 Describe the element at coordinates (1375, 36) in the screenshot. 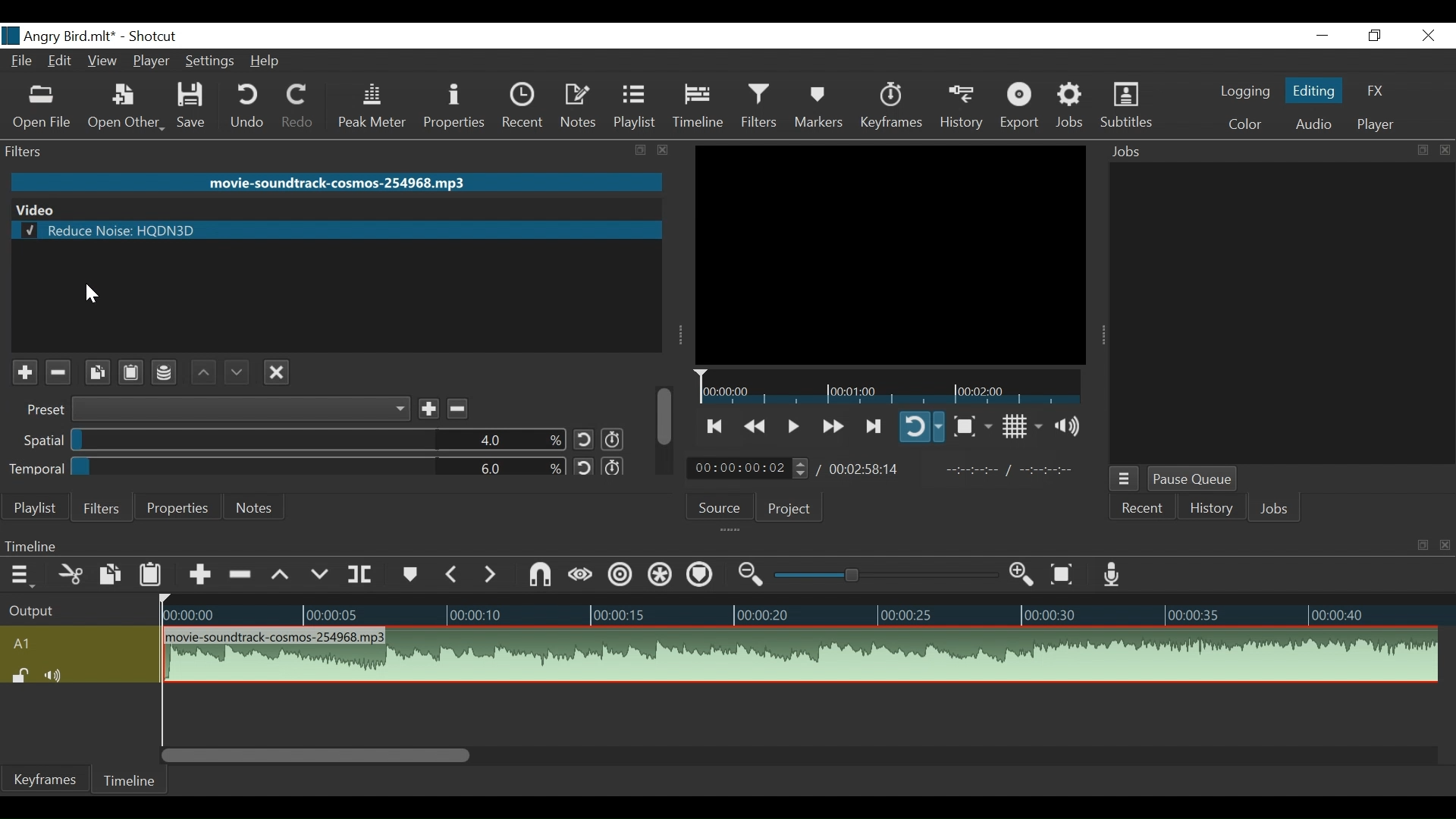

I see `Restore` at that location.